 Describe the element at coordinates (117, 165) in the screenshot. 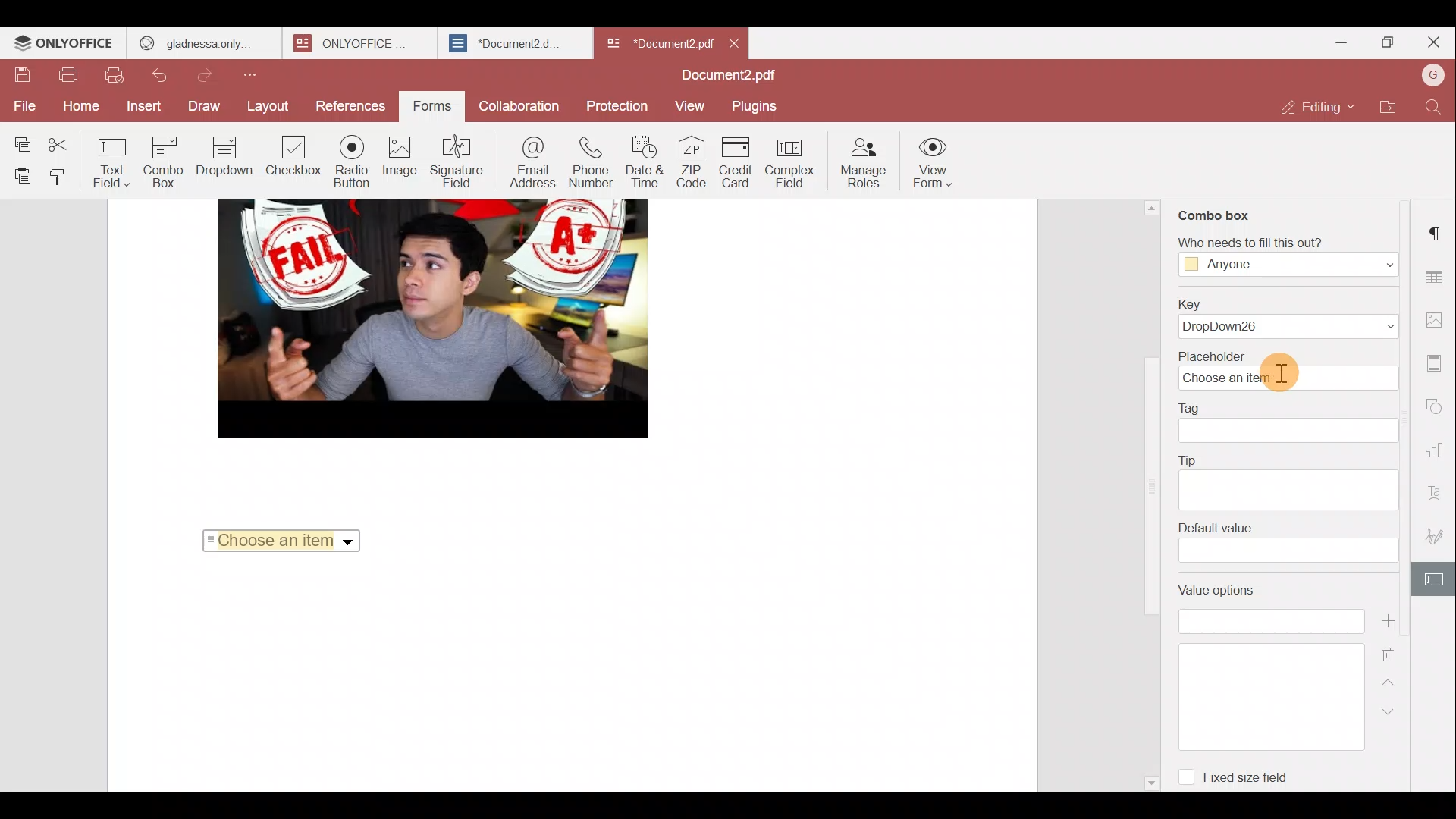

I see `Text field` at that location.